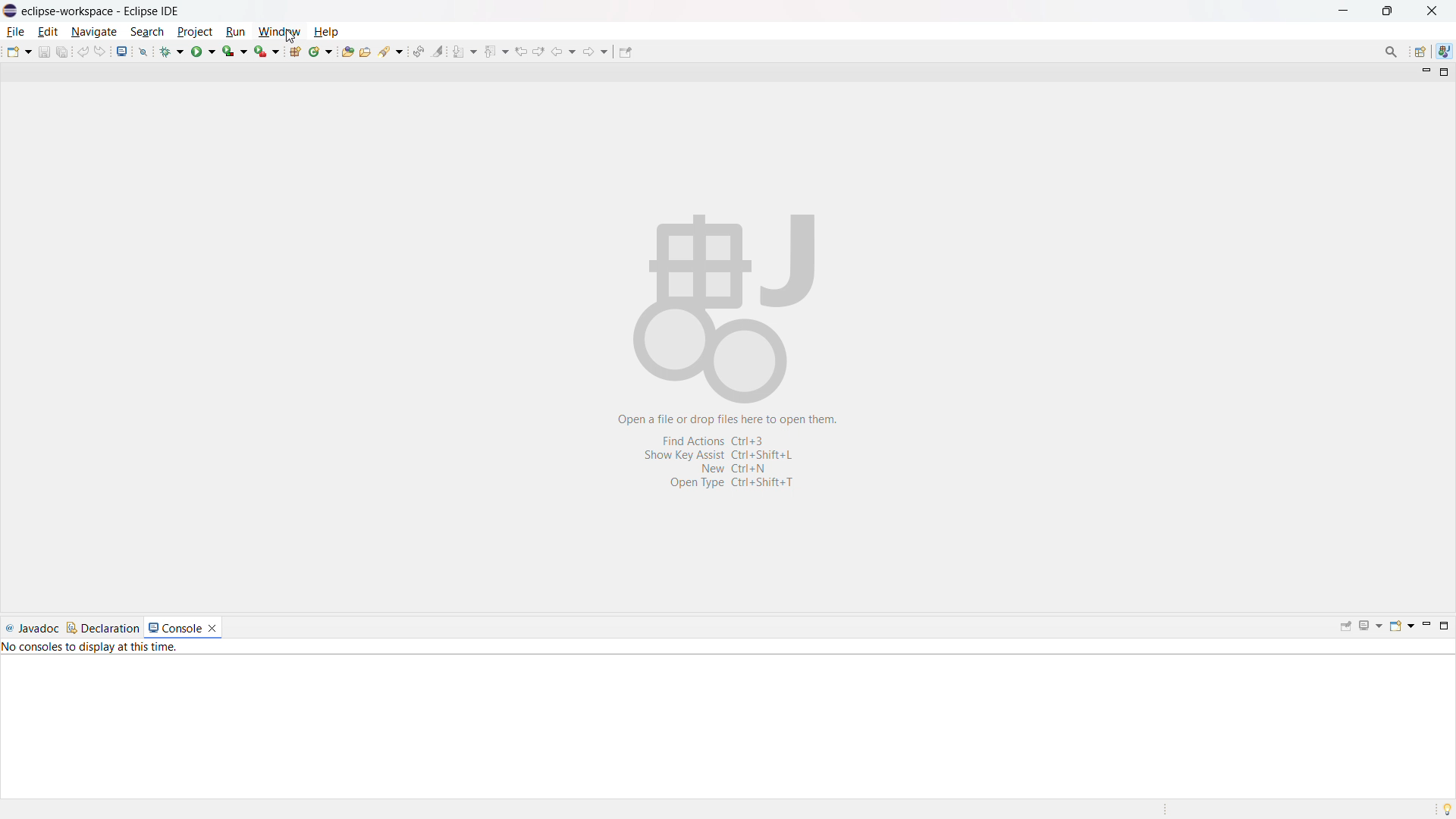  I want to click on Open a file or drop files here to open them., so click(730, 421).